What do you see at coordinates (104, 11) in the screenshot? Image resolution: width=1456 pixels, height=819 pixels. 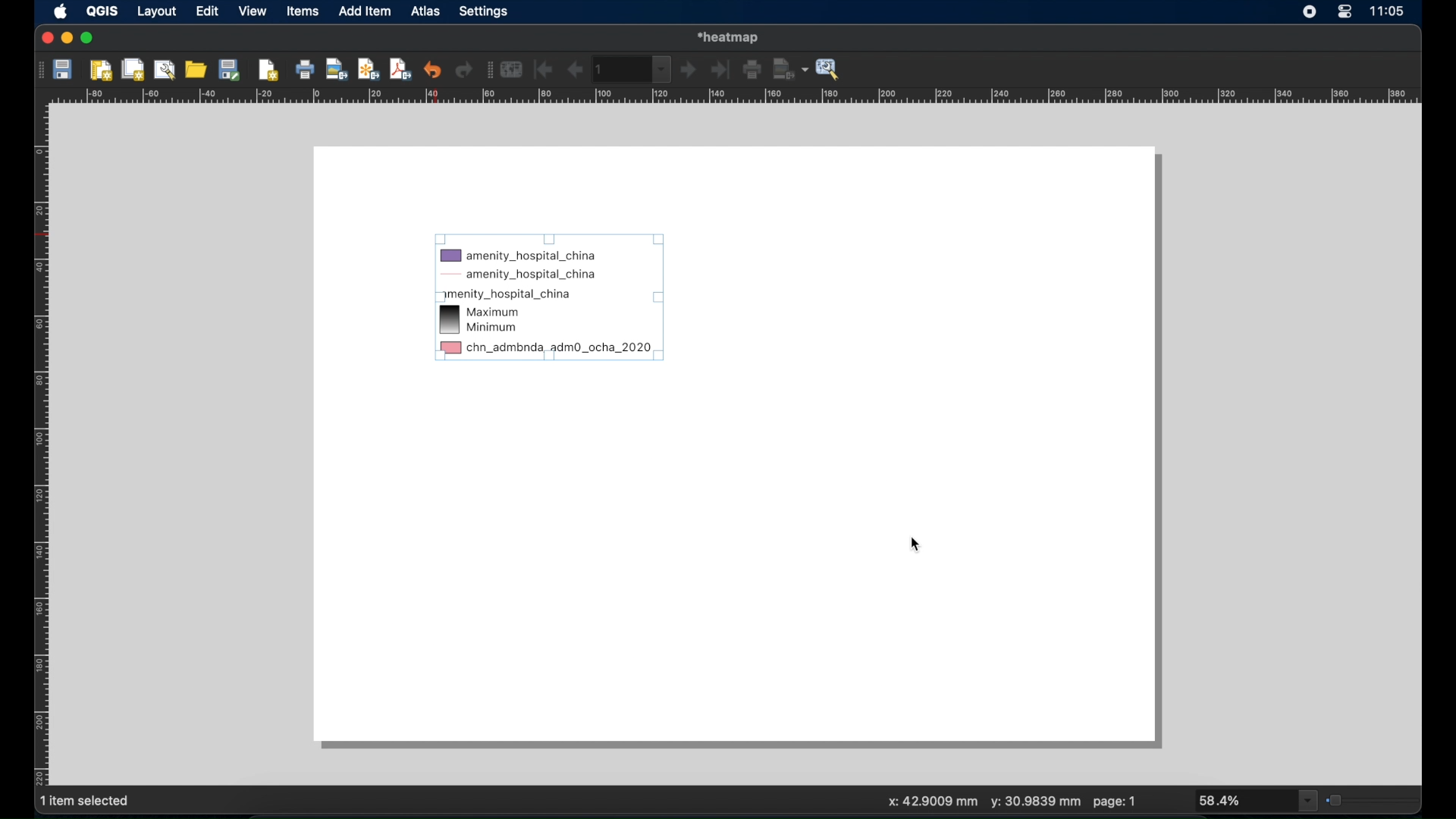 I see `QGIS` at bounding box center [104, 11].